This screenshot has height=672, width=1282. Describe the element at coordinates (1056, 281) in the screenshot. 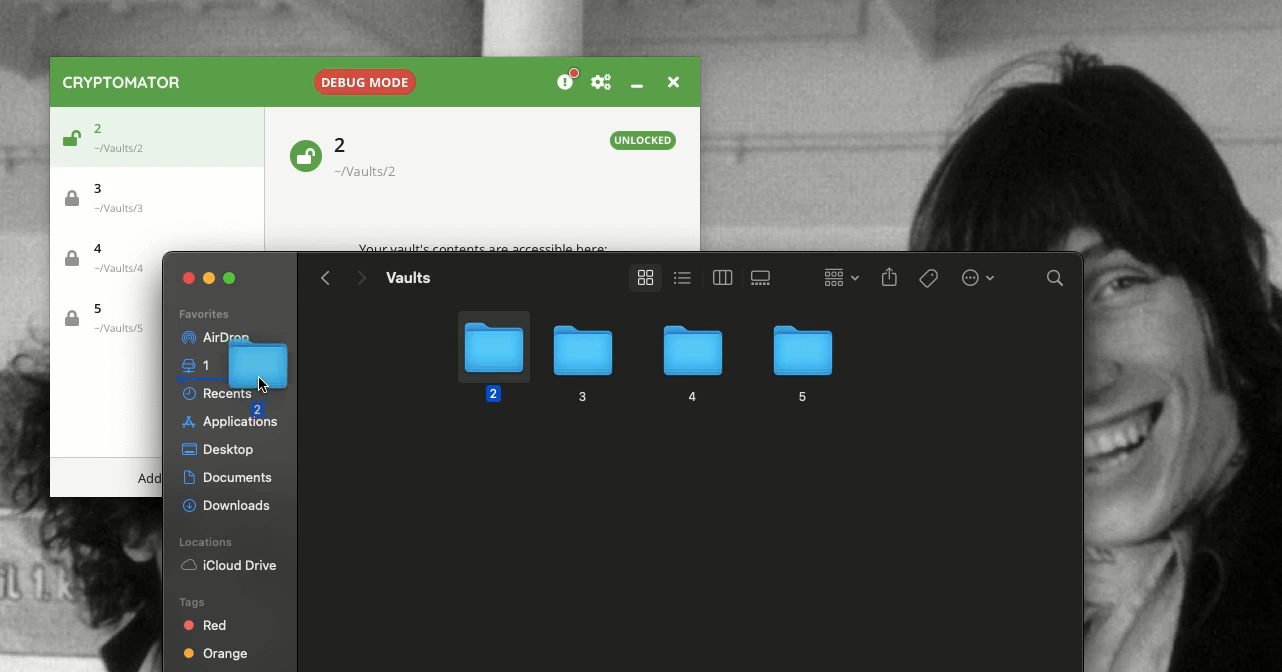

I see `Search` at that location.